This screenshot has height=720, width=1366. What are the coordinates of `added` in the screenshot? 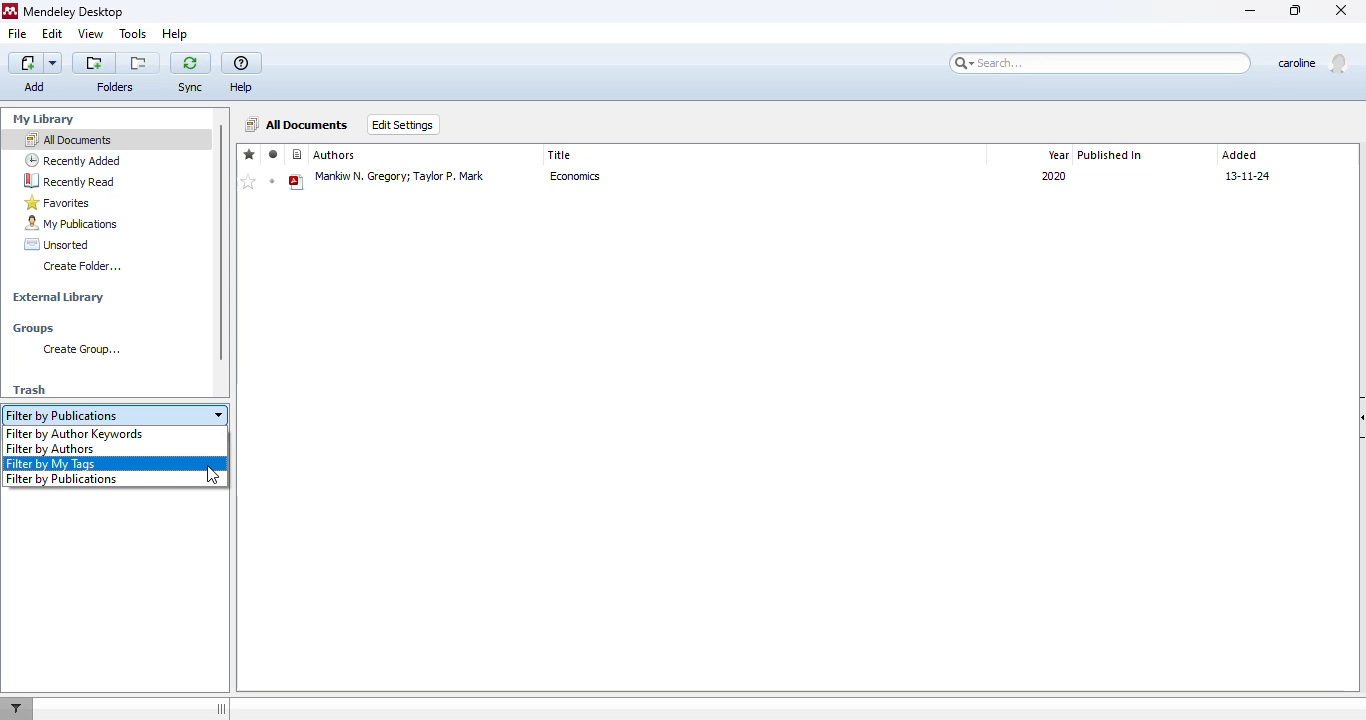 It's located at (1240, 155).